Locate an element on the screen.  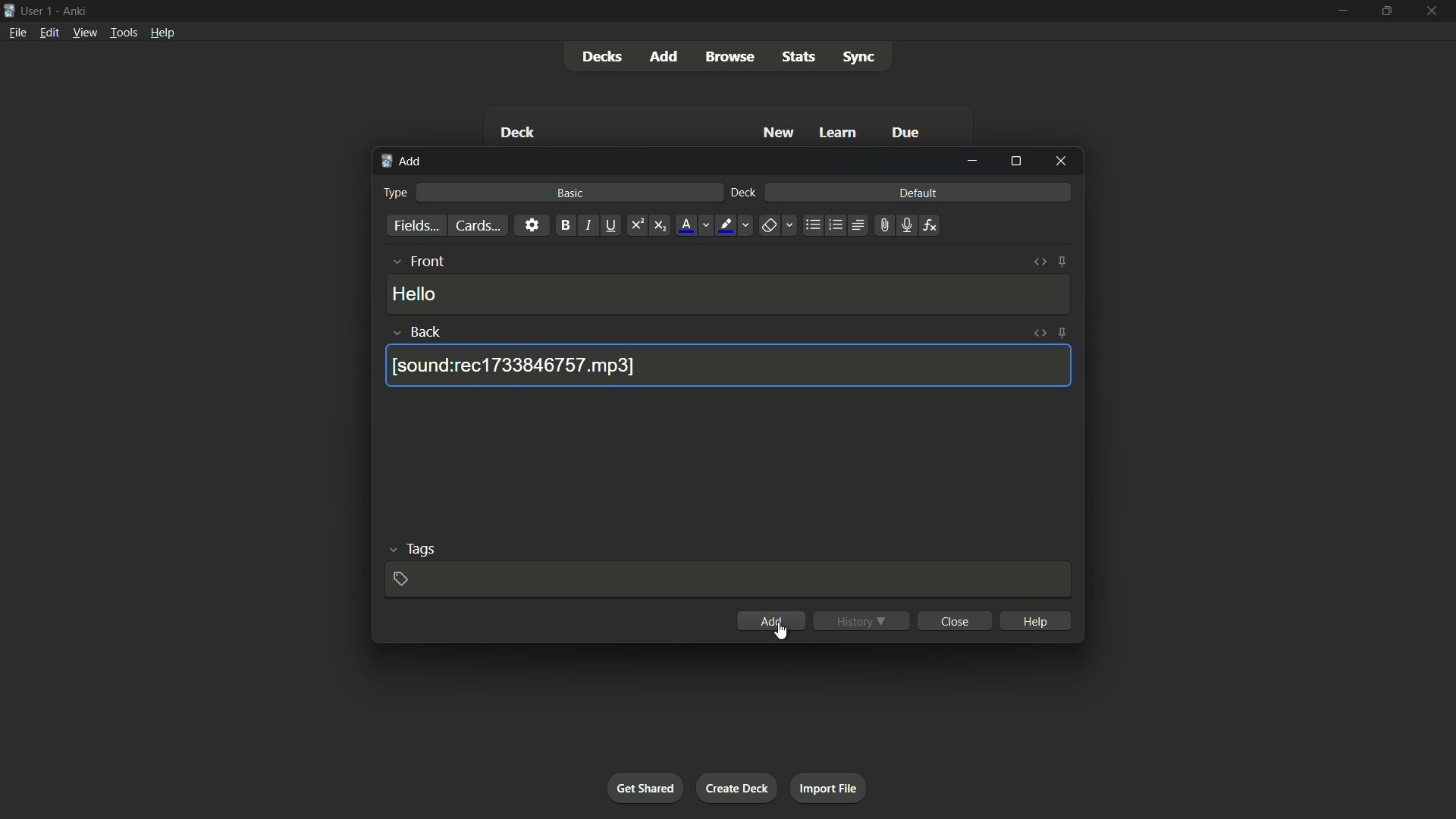
superscript is located at coordinates (636, 224).